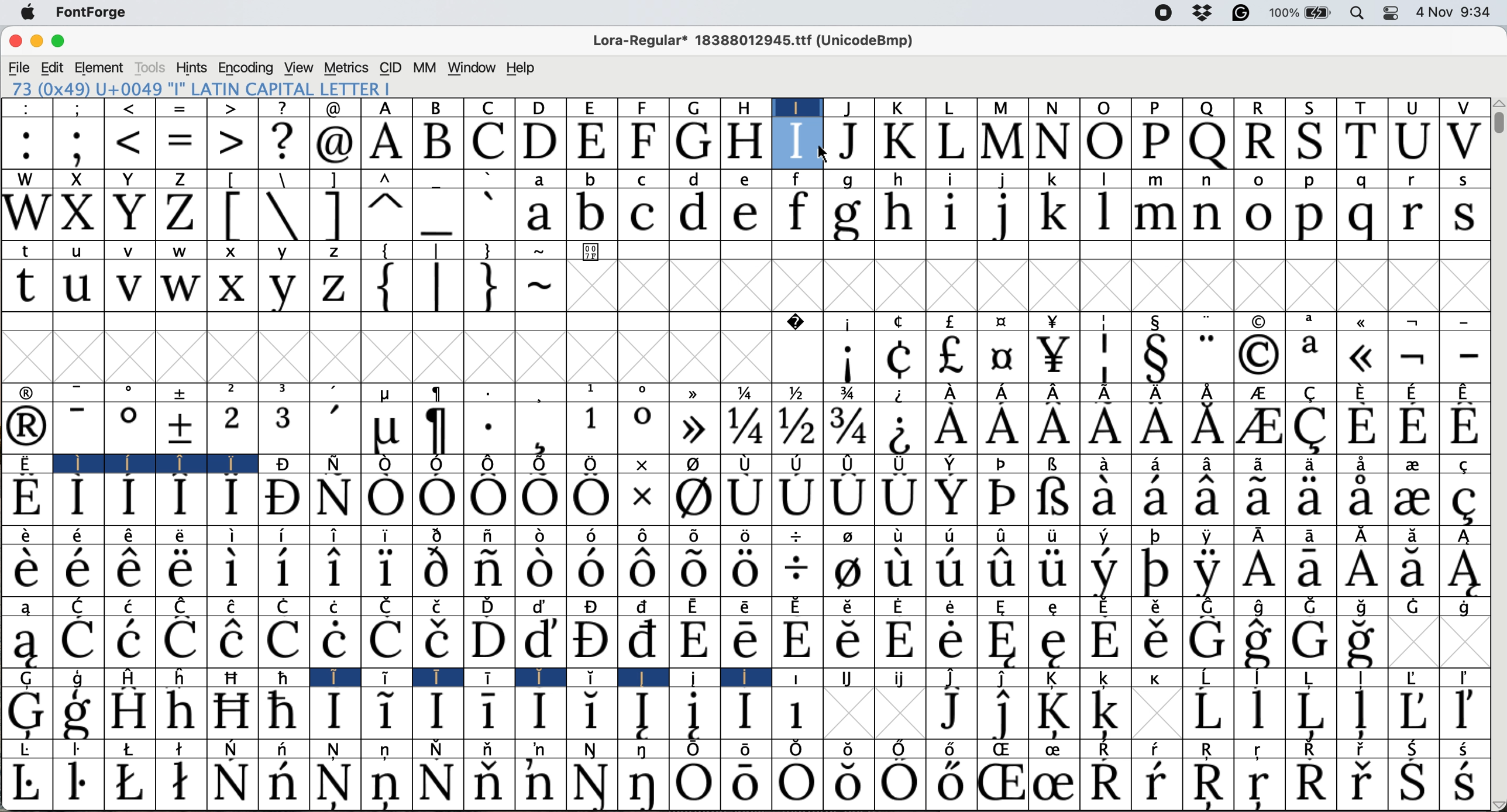 This screenshot has height=812, width=1507. What do you see at coordinates (436, 286) in the screenshot?
I see `|` at bounding box center [436, 286].